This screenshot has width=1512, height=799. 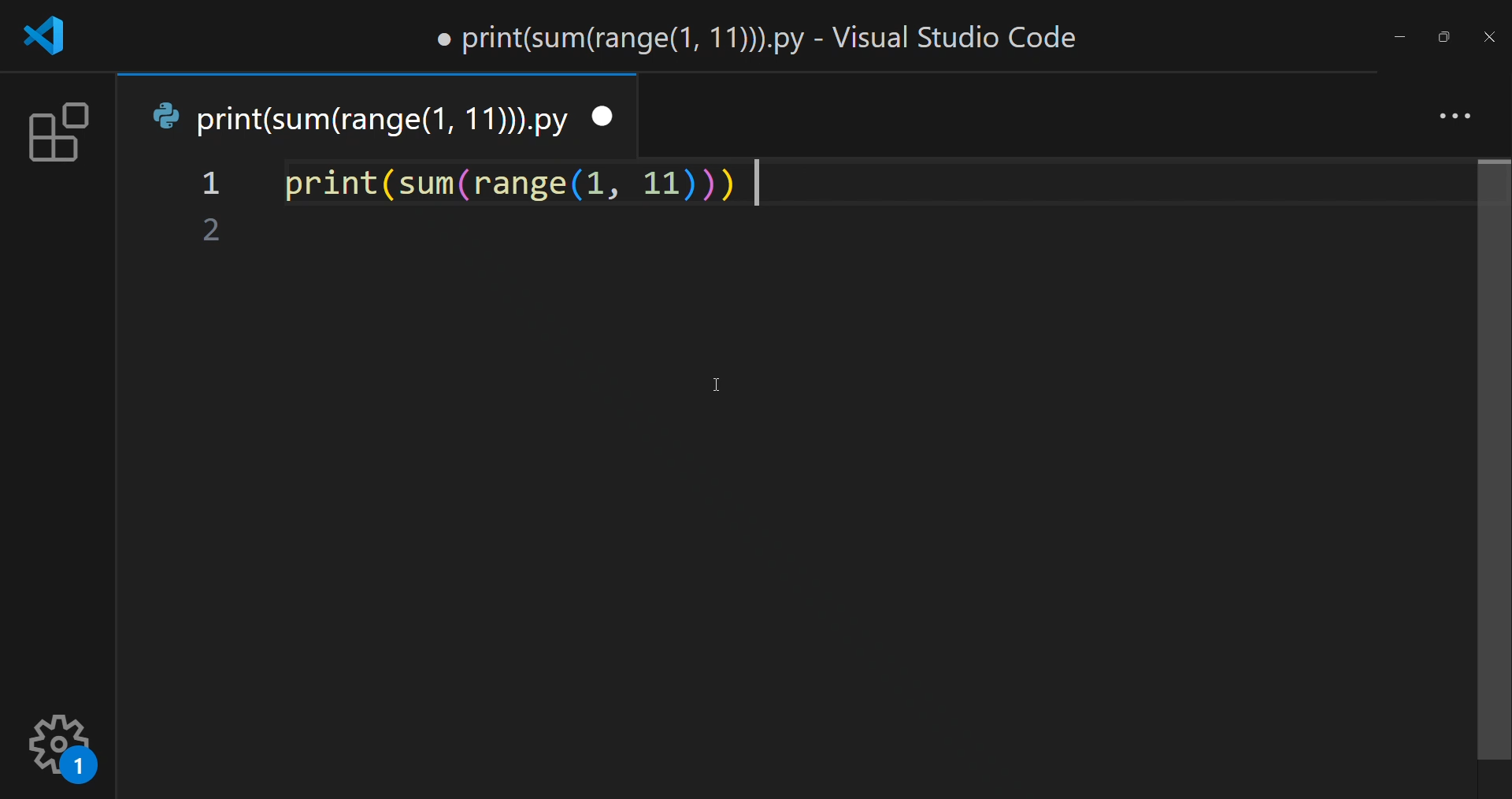 I want to click on minimize, so click(x=1399, y=35).